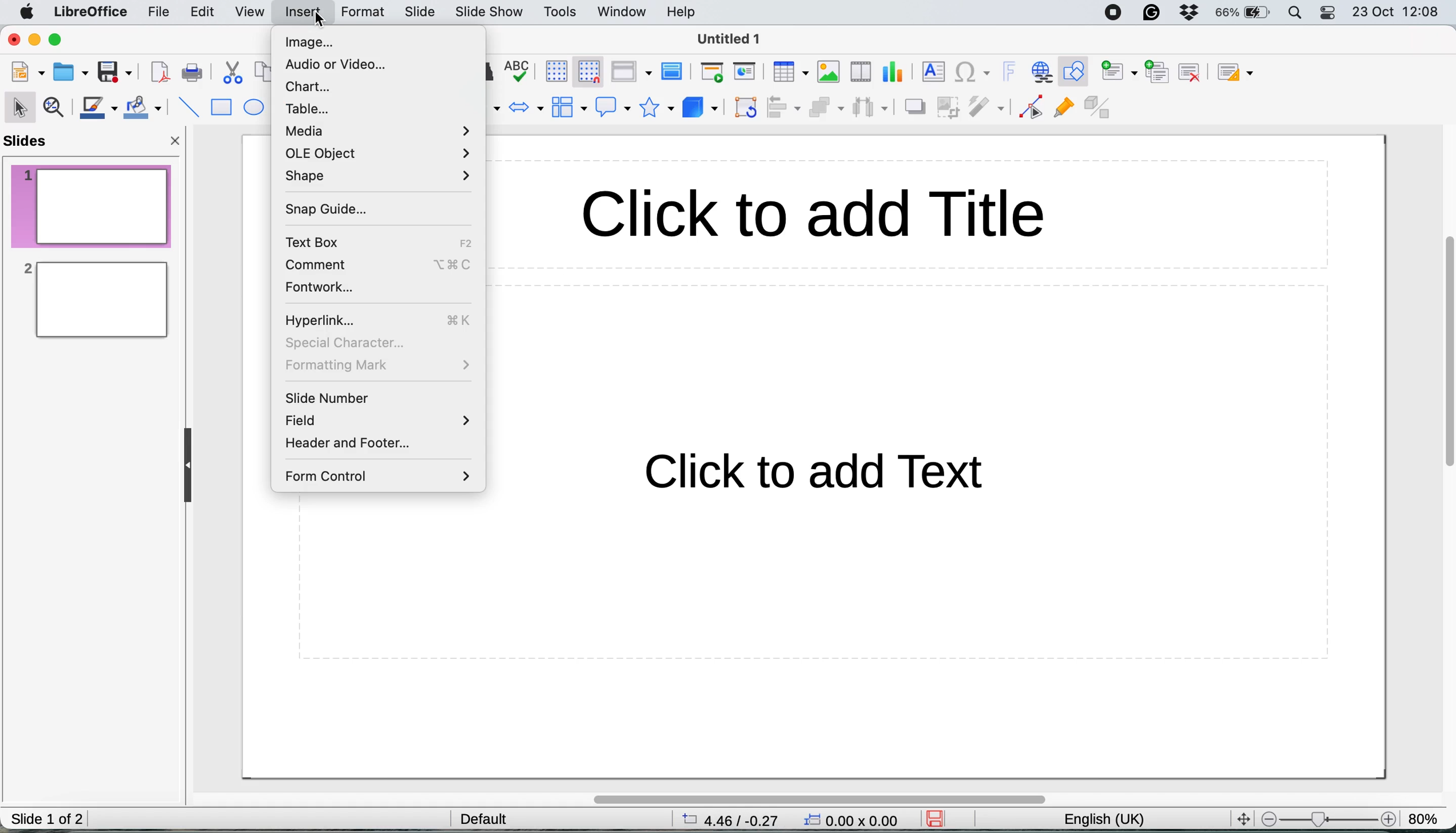 The image size is (1456, 833). What do you see at coordinates (420, 13) in the screenshot?
I see `slide` at bounding box center [420, 13].